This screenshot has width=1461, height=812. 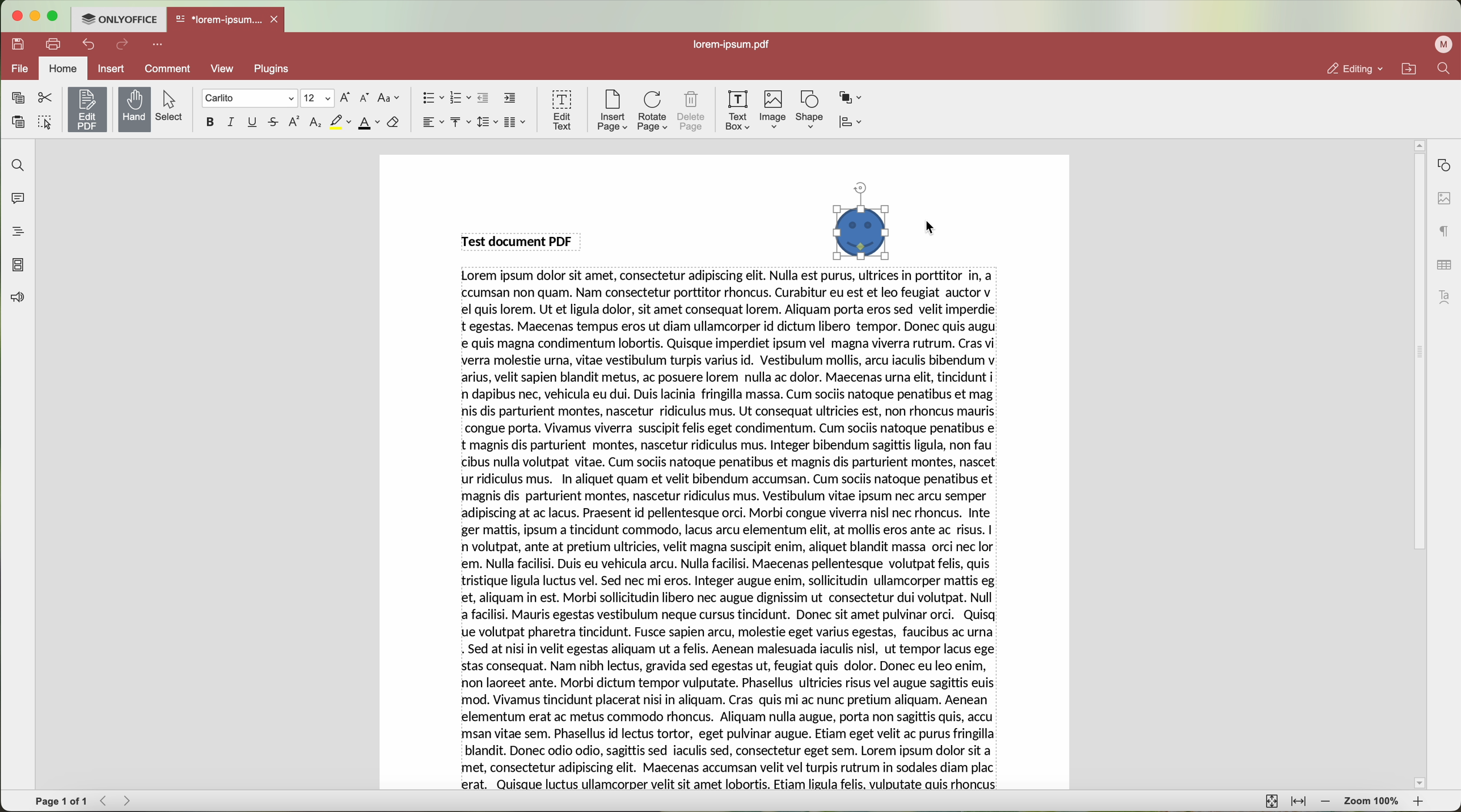 What do you see at coordinates (65, 67) in the screenshot?
I see `home` at bounding box center [65, 67].